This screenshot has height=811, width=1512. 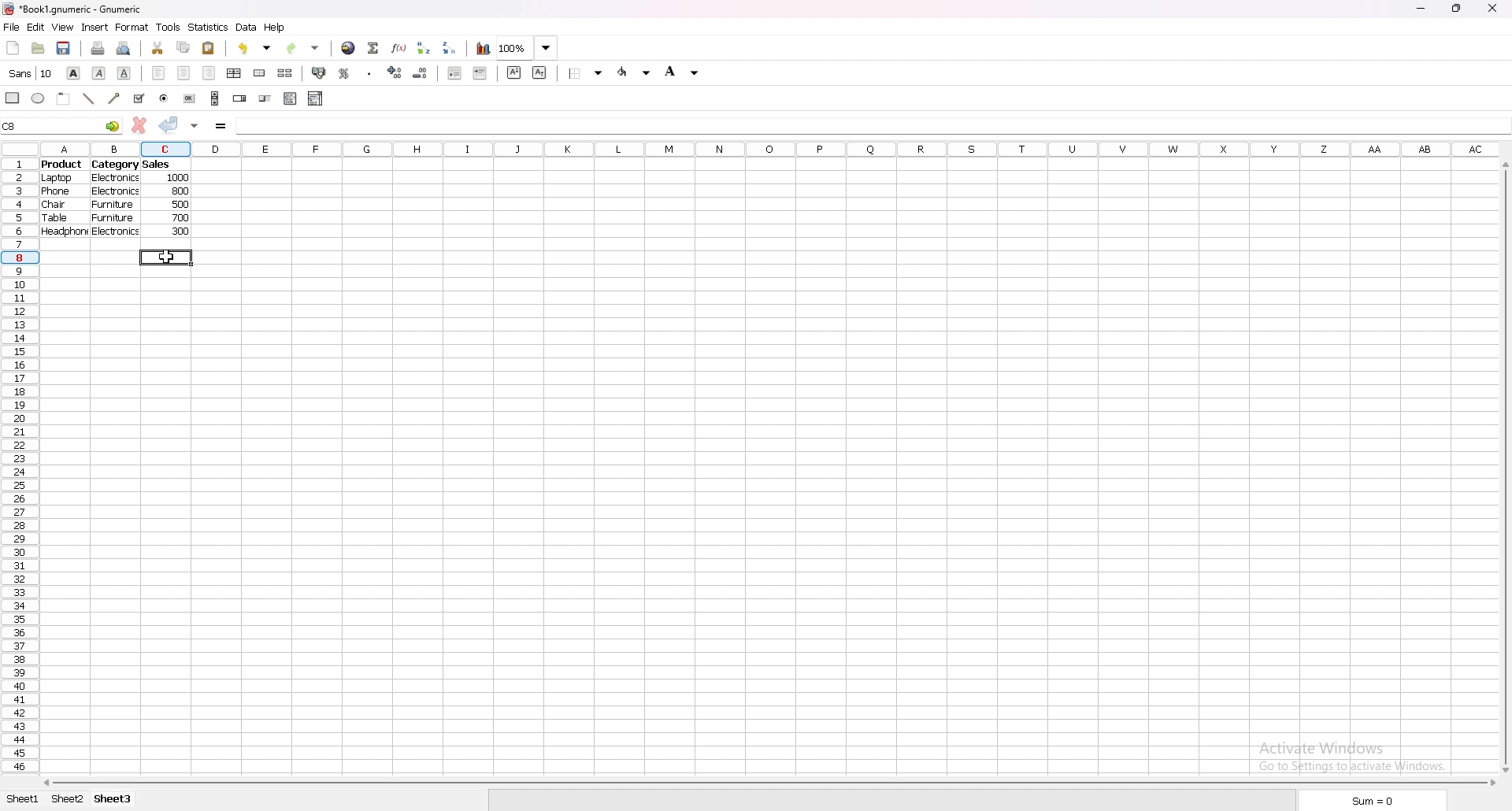 I want to click on column, so click(x=771, y=149).